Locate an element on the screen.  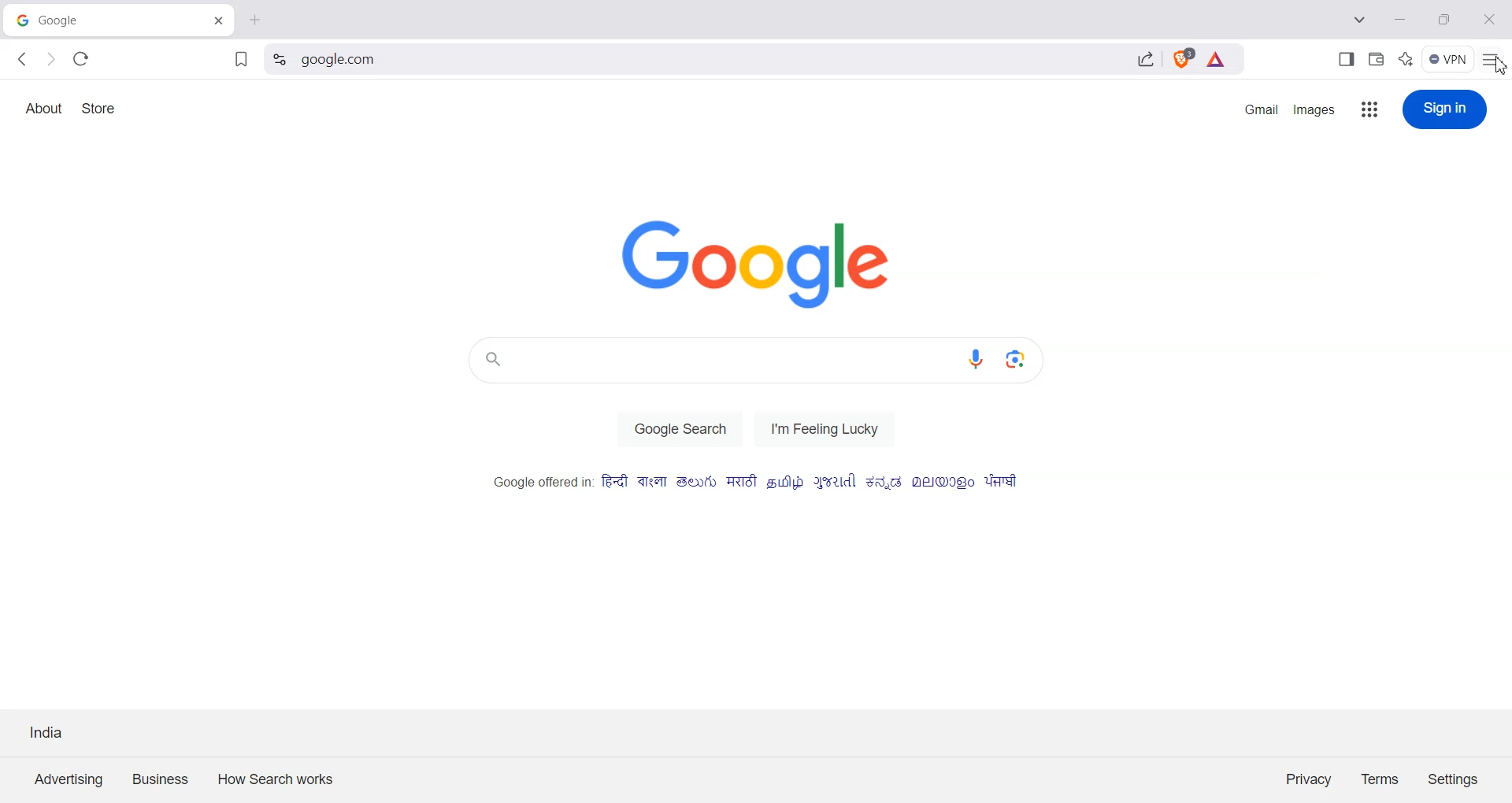
Search is located at coordinates (713, 61).